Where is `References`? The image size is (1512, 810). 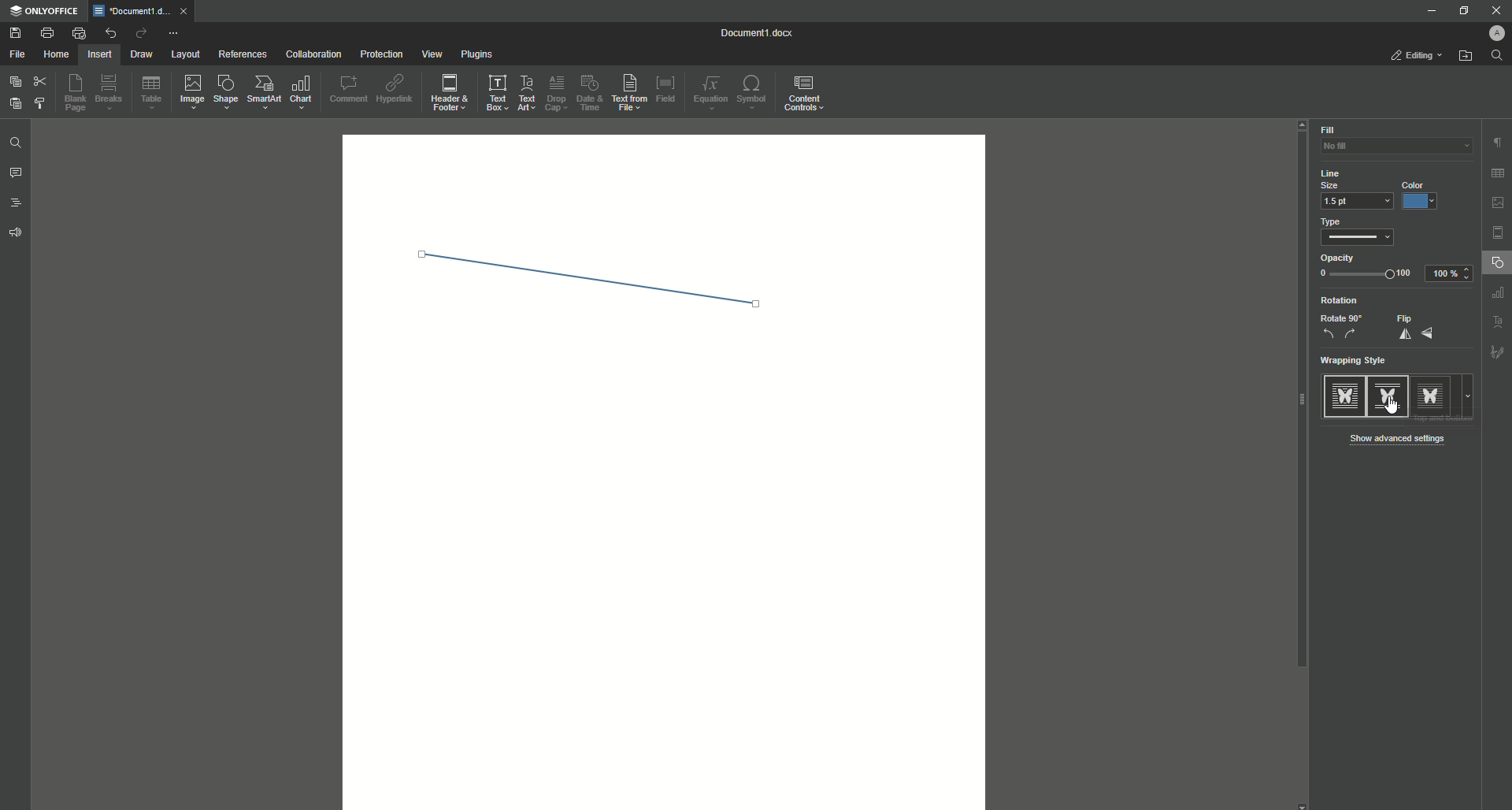
References is located at coordinates (242, 54).